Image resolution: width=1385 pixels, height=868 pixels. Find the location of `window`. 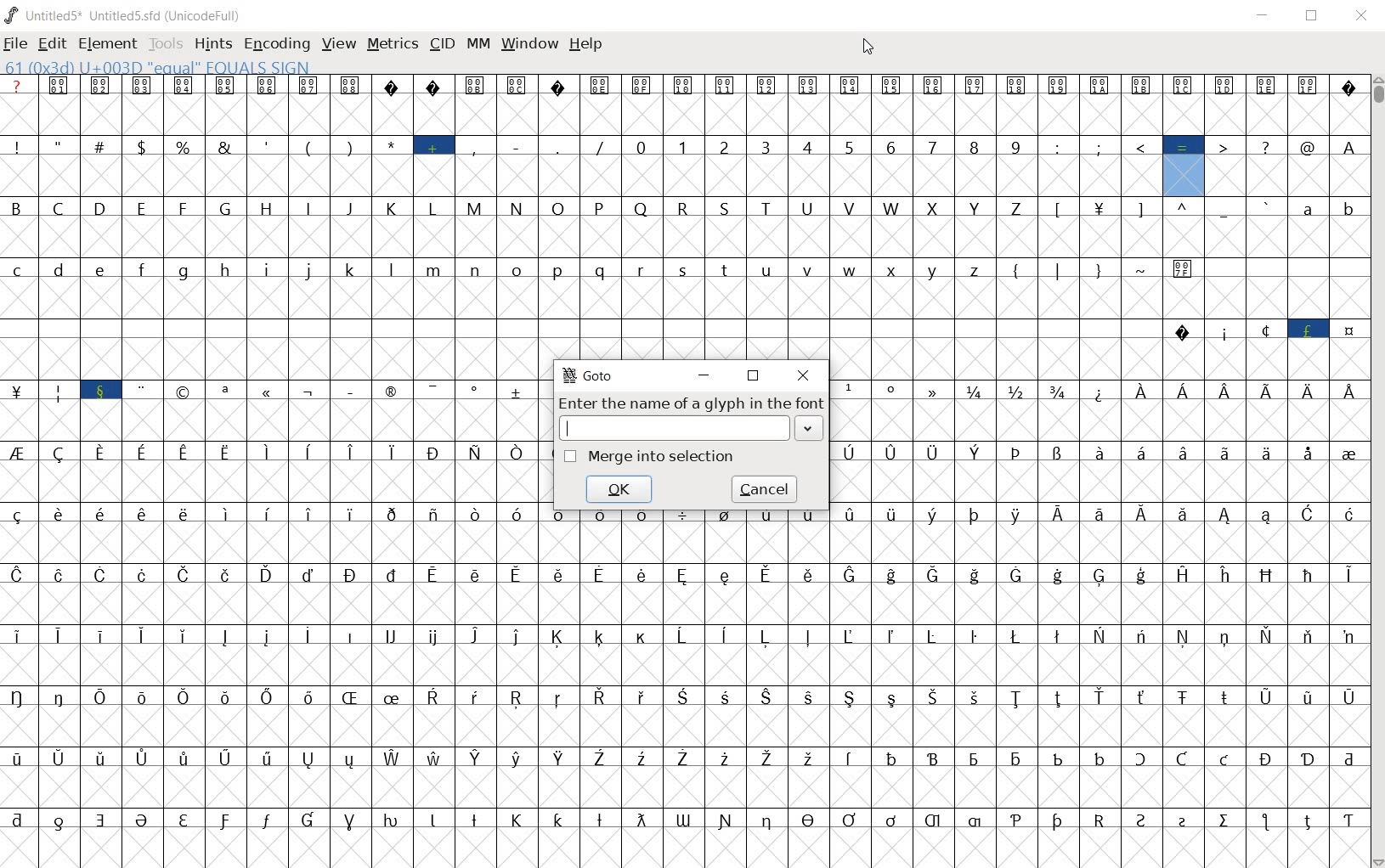

window is located at coordinates (529, 44).